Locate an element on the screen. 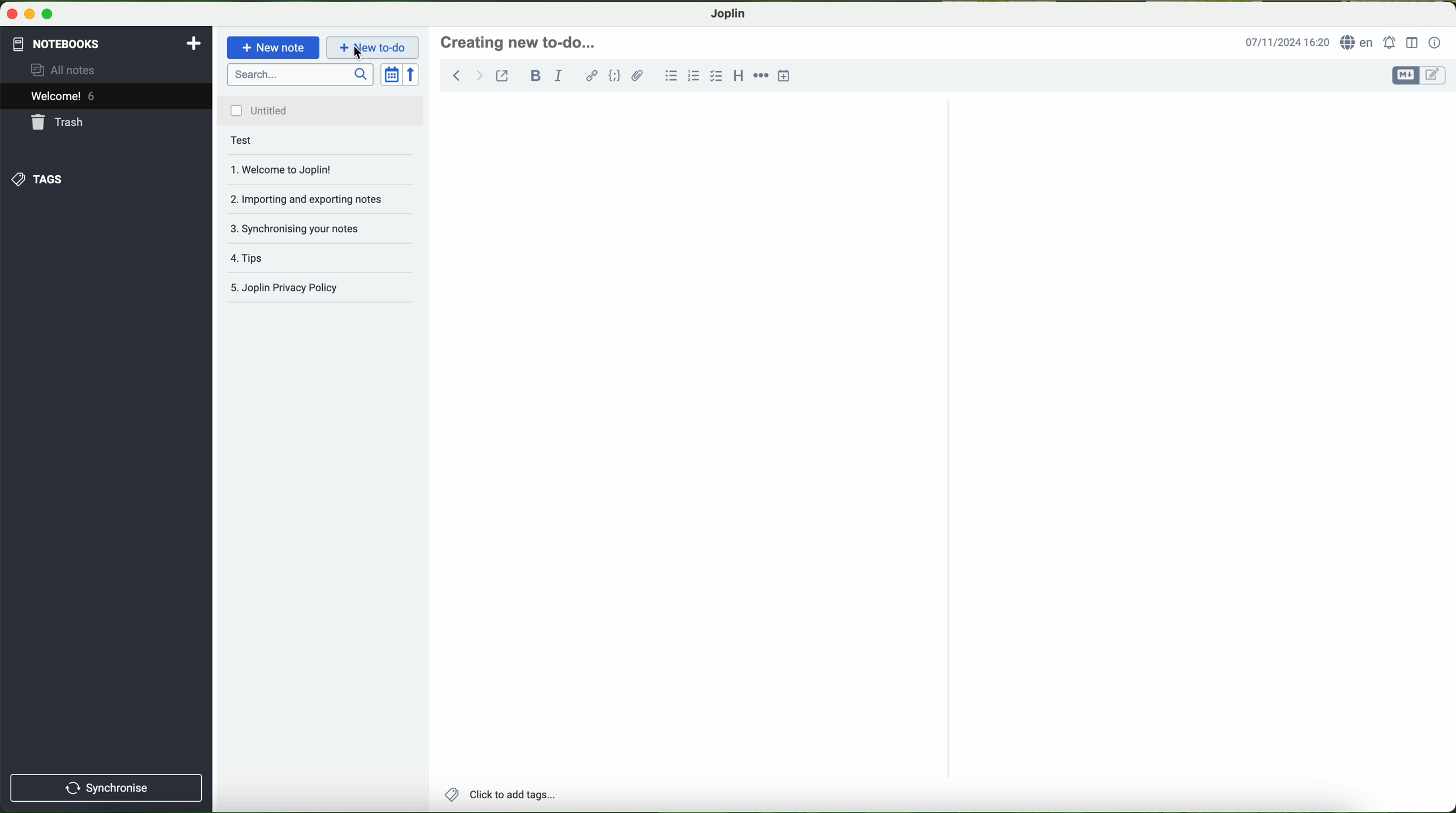  new to-do button is located at coordinates (373, 49).